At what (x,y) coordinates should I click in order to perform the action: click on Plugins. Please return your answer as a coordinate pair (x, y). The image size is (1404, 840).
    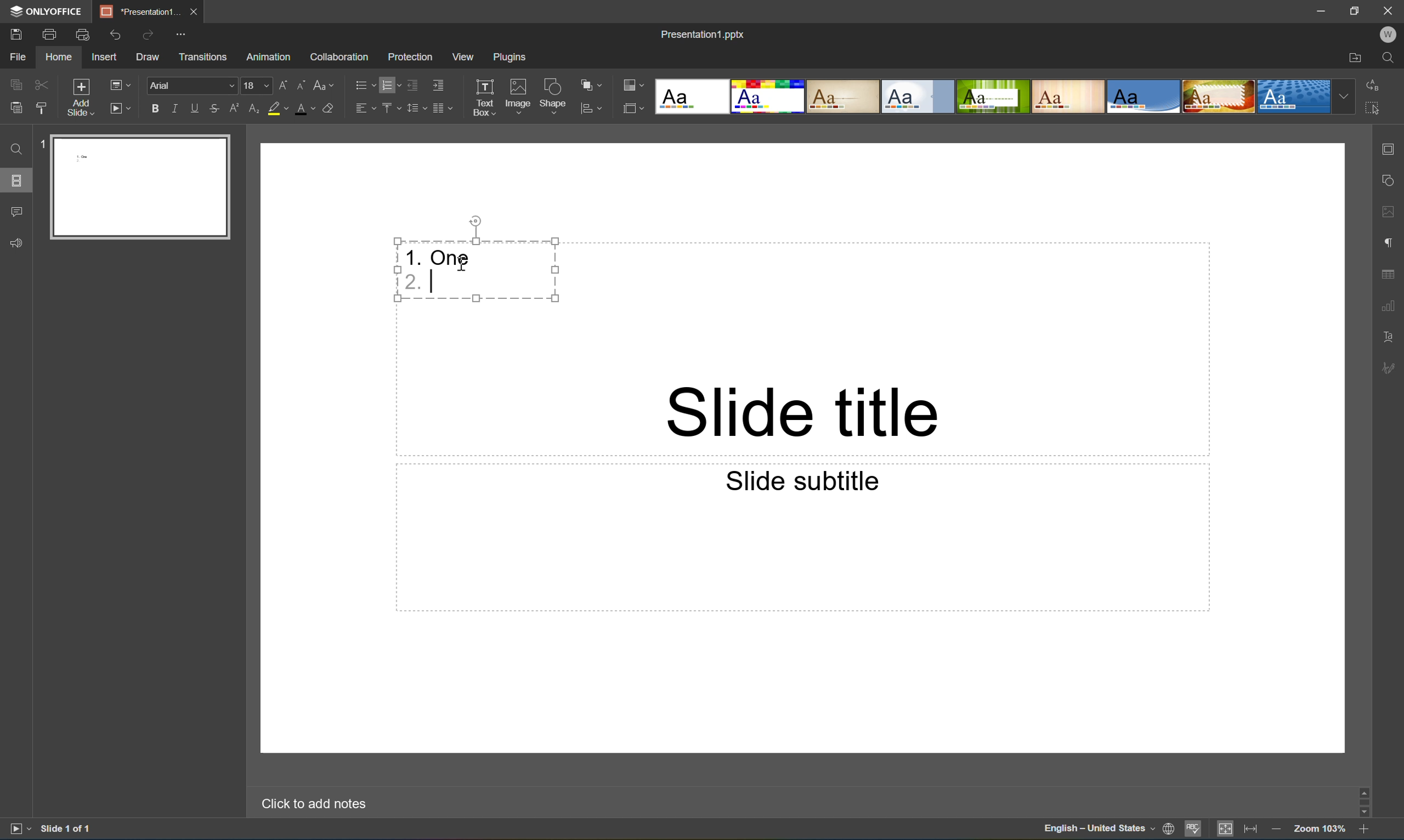
    Looking at the image, I should click on (507, 58).